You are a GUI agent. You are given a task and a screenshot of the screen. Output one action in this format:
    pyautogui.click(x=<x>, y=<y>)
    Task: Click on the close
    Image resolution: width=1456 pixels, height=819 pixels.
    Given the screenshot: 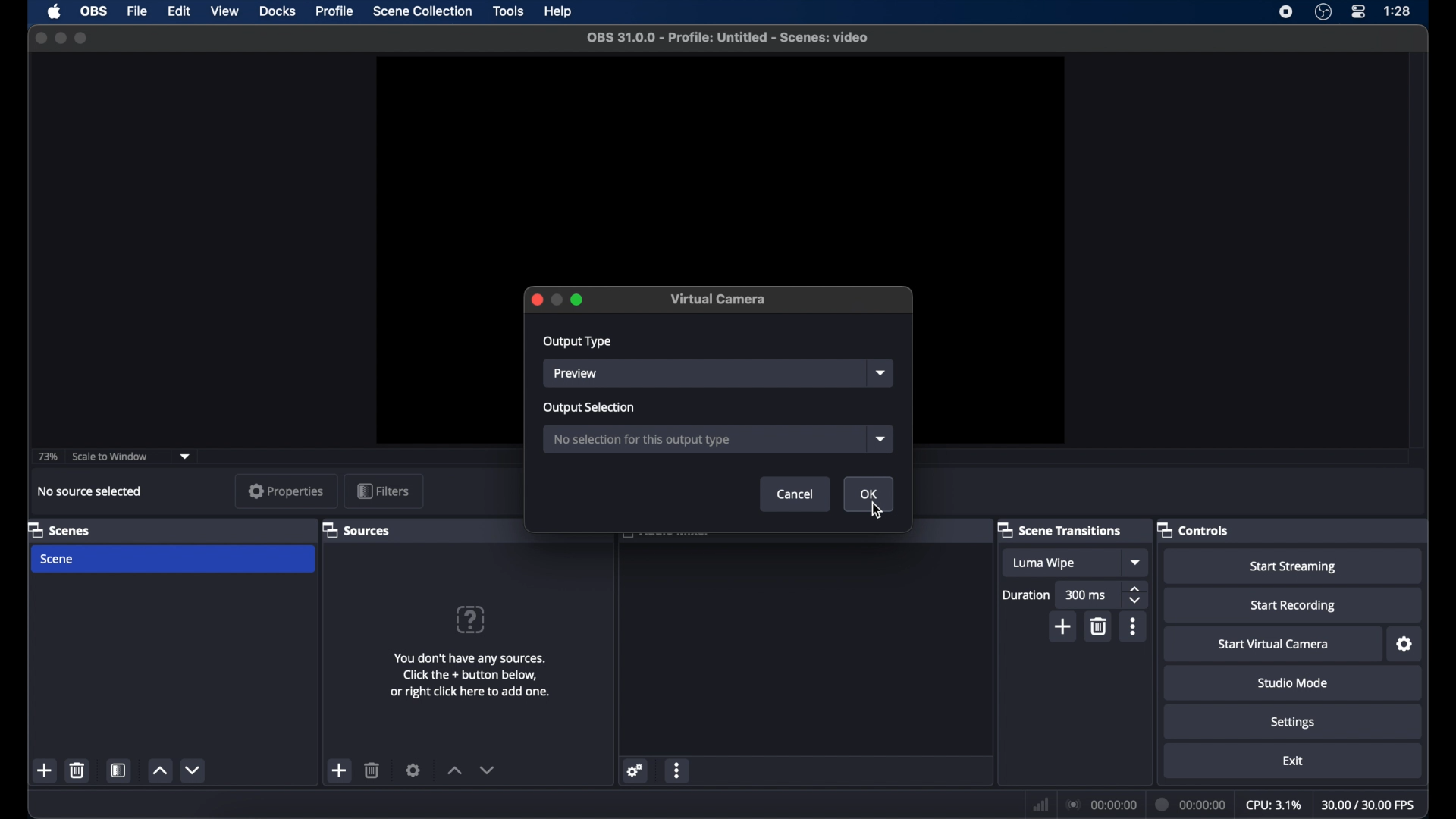 What is the action you would take?
    pyautogui.click(x=40, y=38)
    